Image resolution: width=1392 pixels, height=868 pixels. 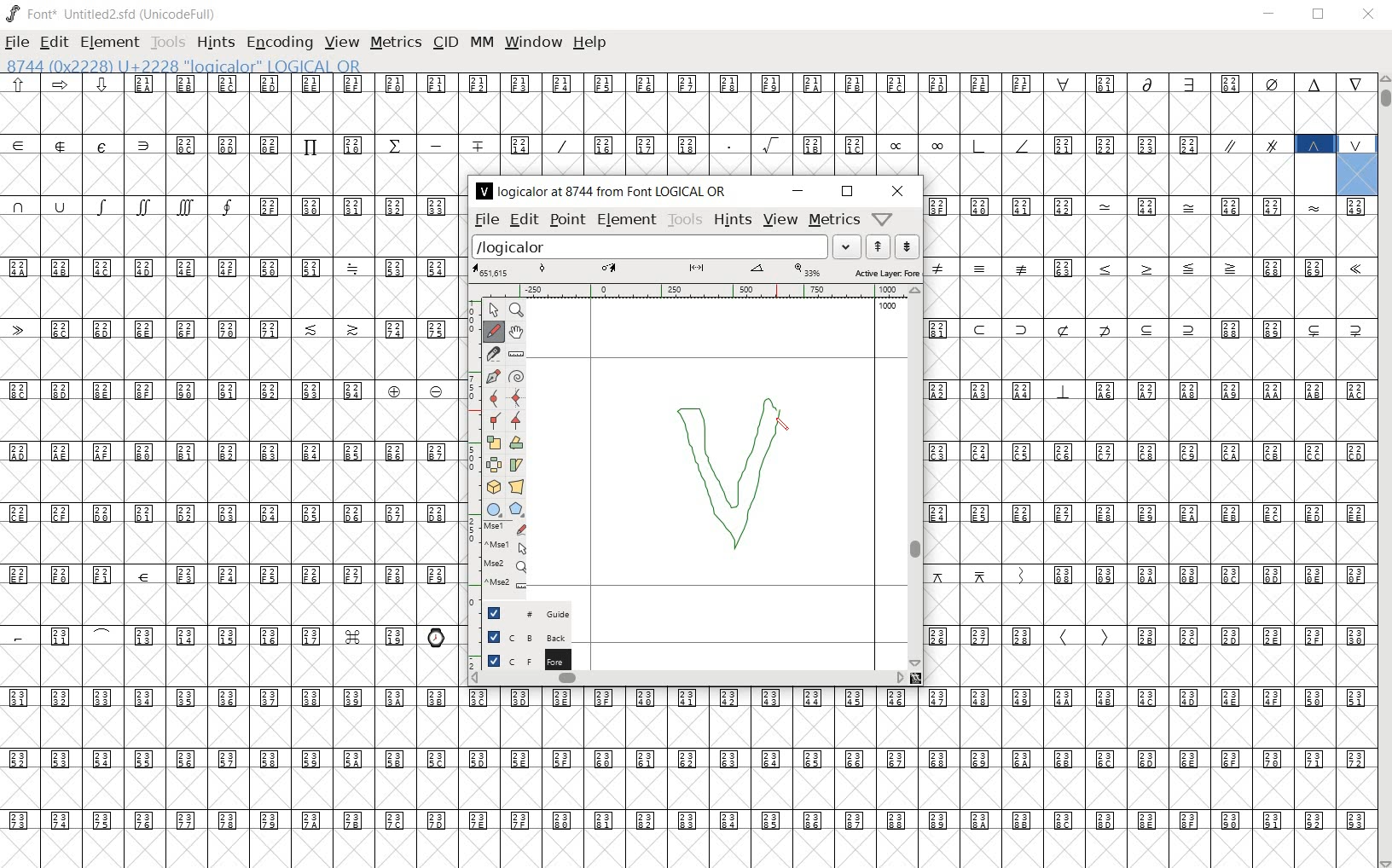 What do you see at coordinates (491, 488) in the screenshot?
I see `rotate the selection in 3D and project back to plane` at bounding box center [491, 488].